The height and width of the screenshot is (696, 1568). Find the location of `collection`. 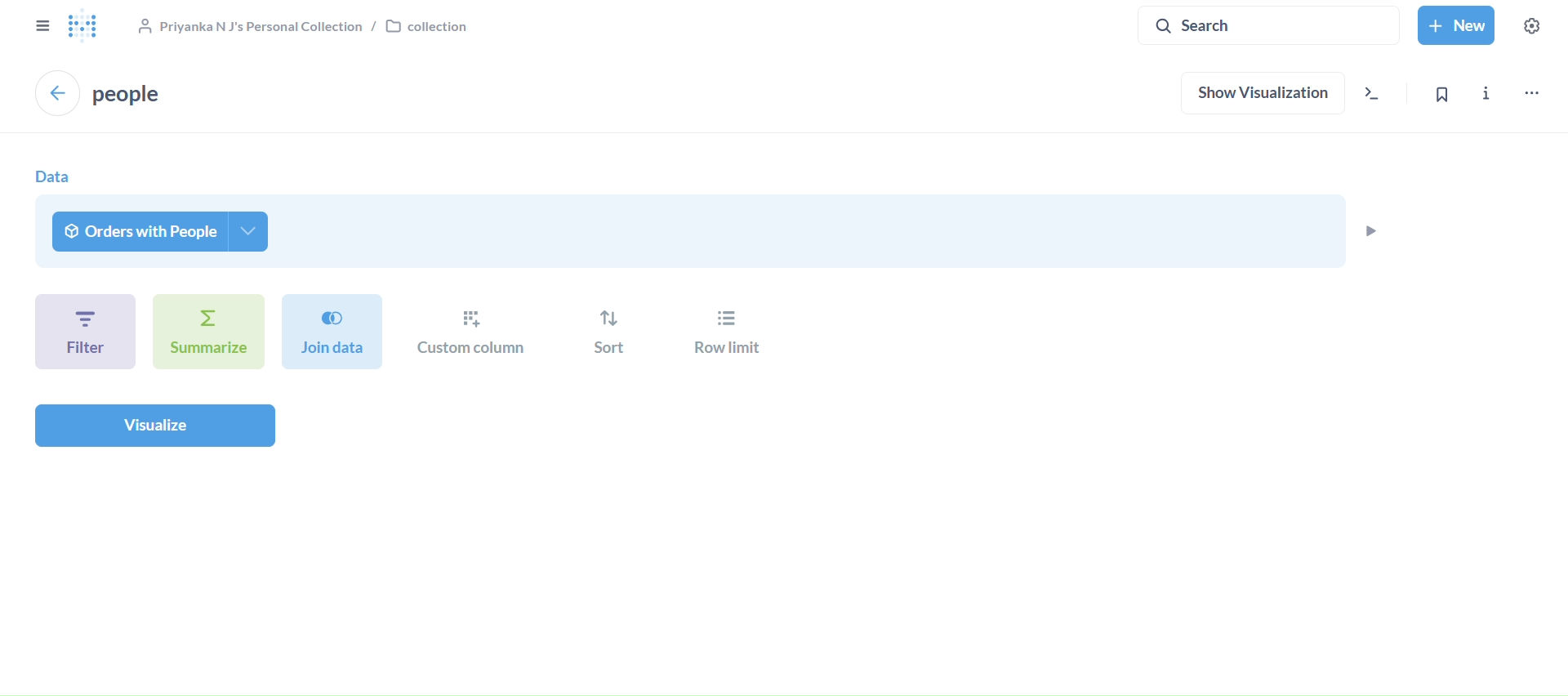

collection is located at coordinates (301, 25).